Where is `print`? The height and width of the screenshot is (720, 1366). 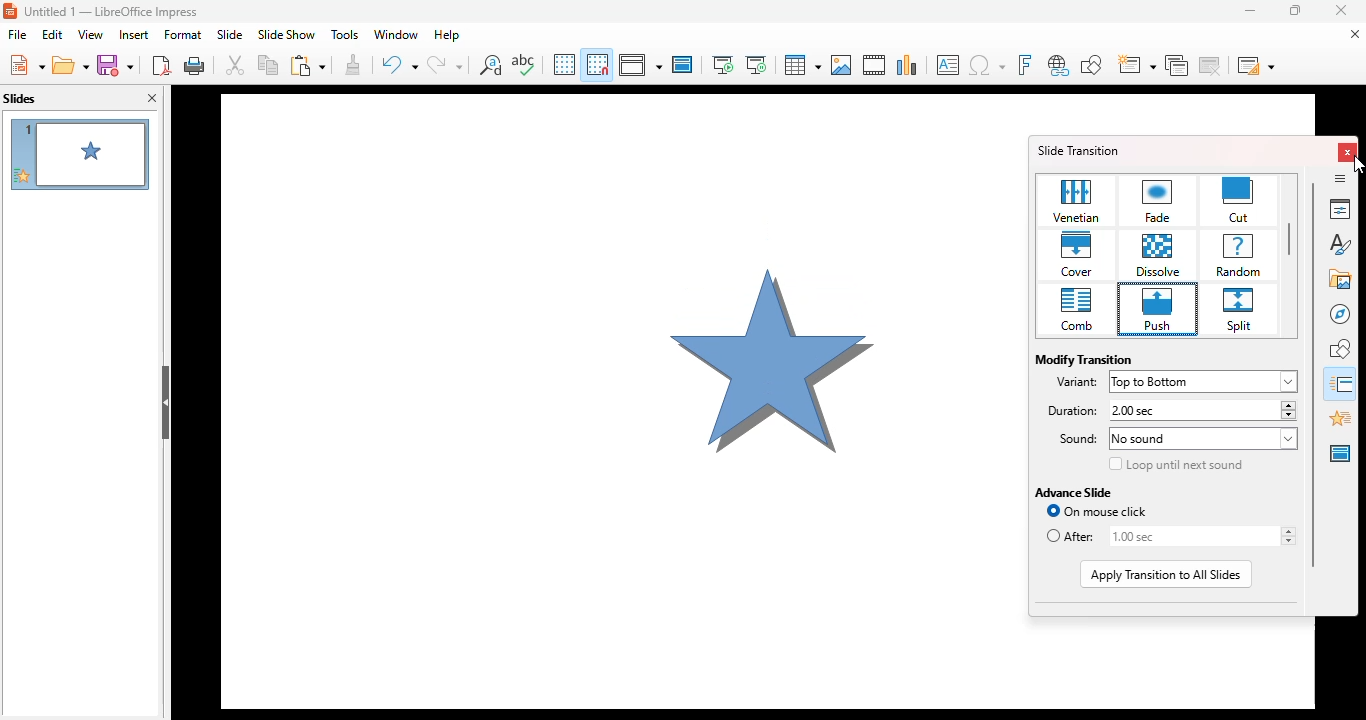
print is located at coordinates (195, 64).